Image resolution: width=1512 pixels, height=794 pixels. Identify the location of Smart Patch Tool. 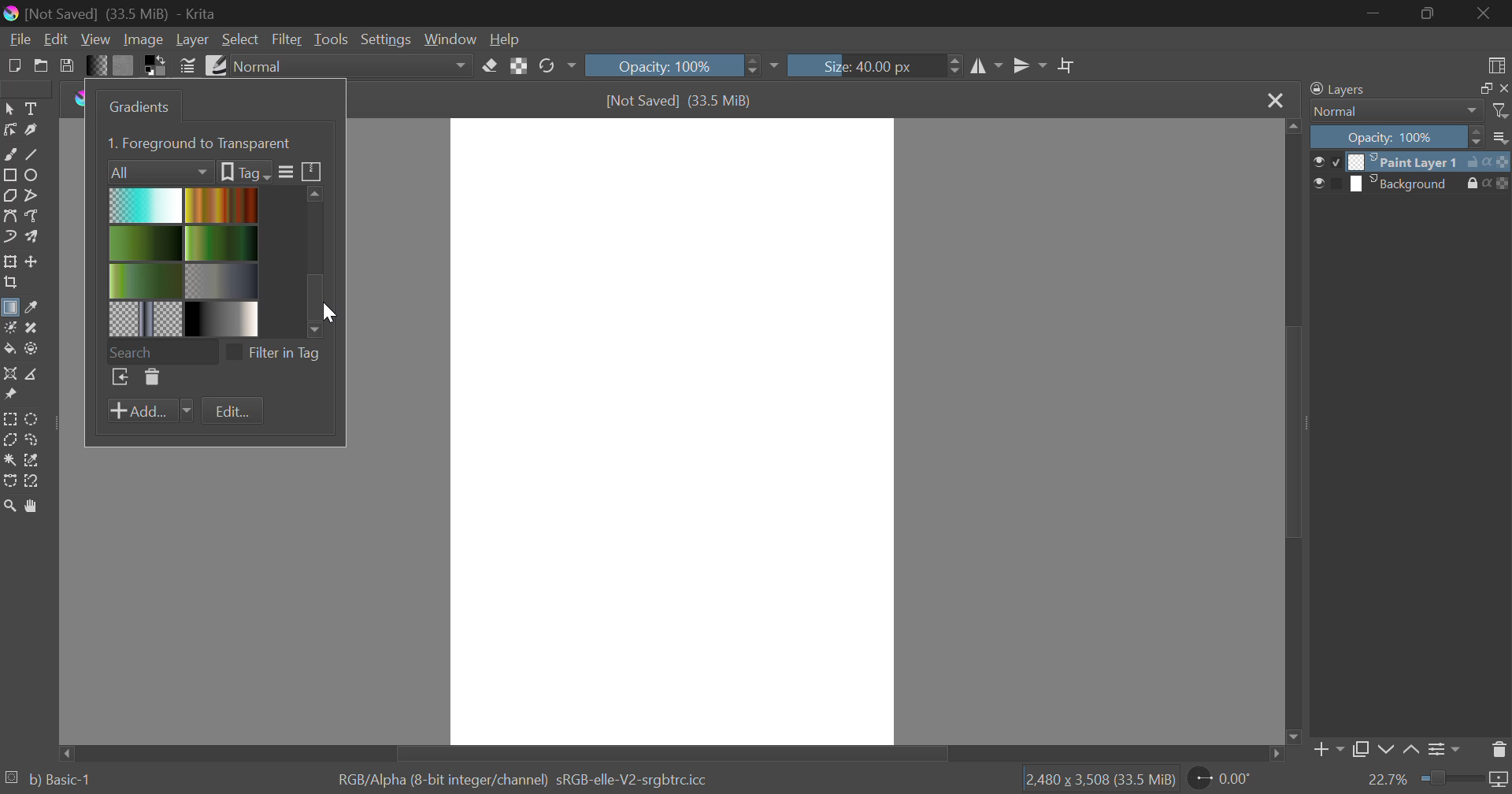
(32, 329).